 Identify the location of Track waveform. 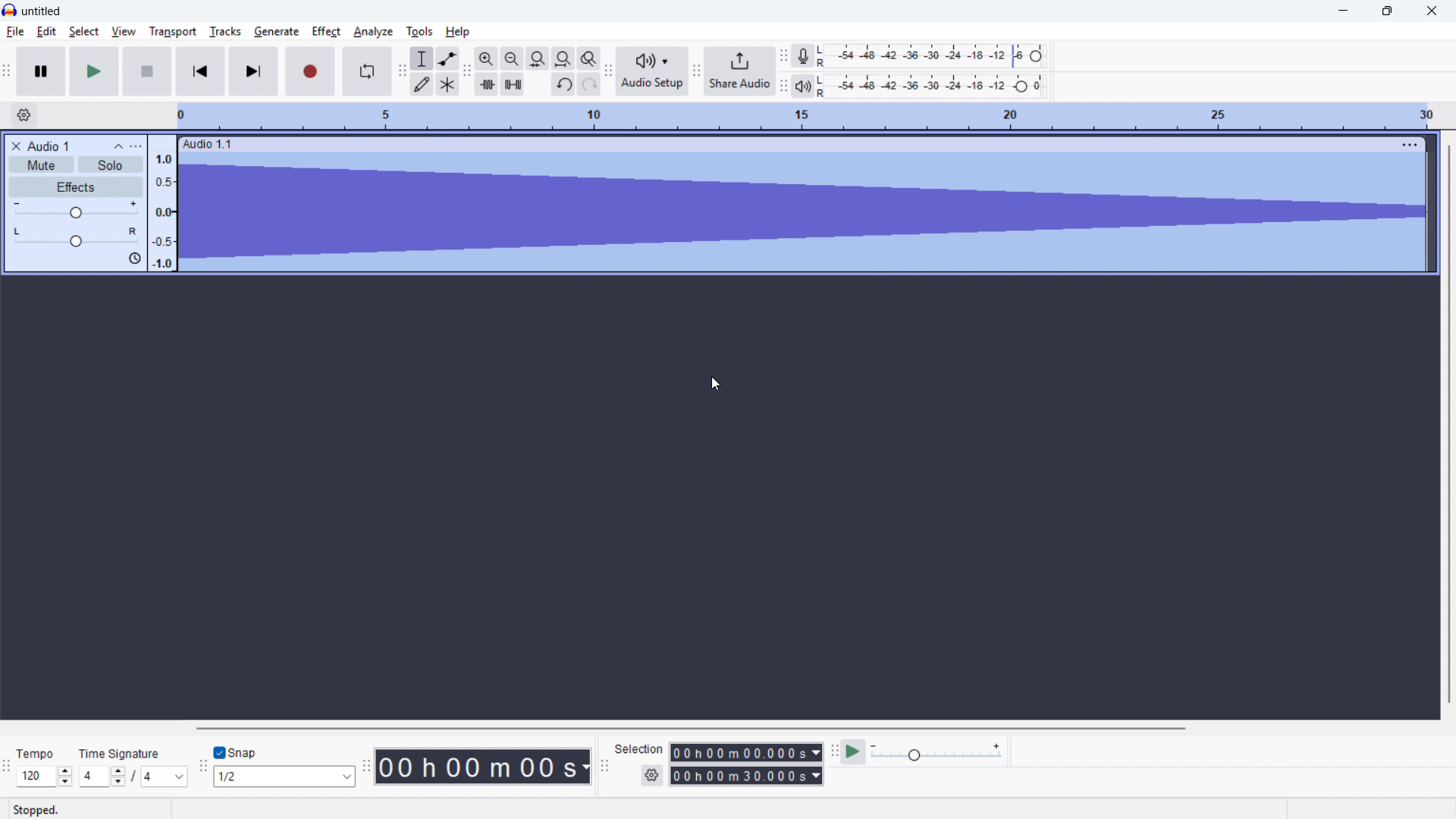
(800, 213).